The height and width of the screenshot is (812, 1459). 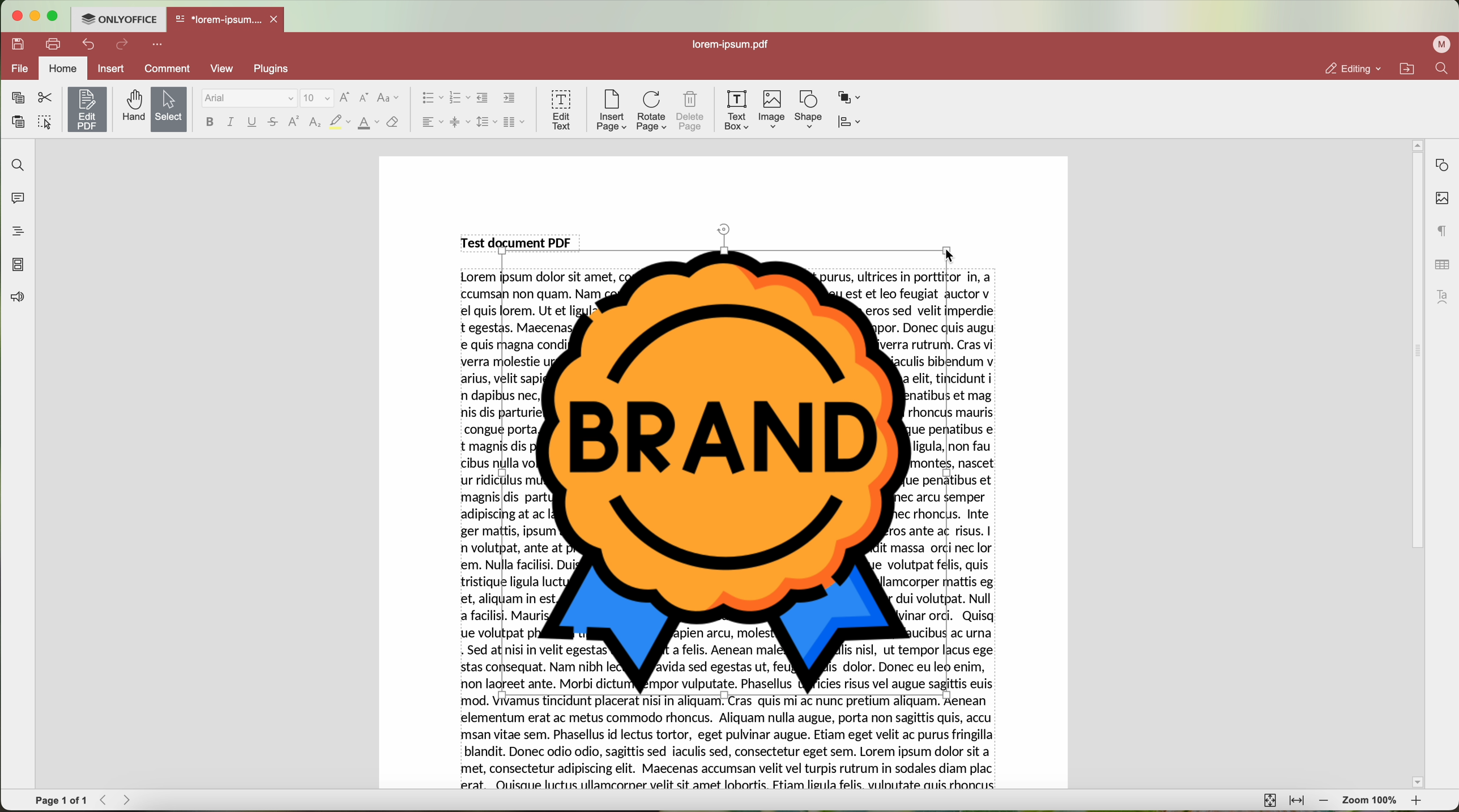 I want to click on change case, so click(x=388, y=98).